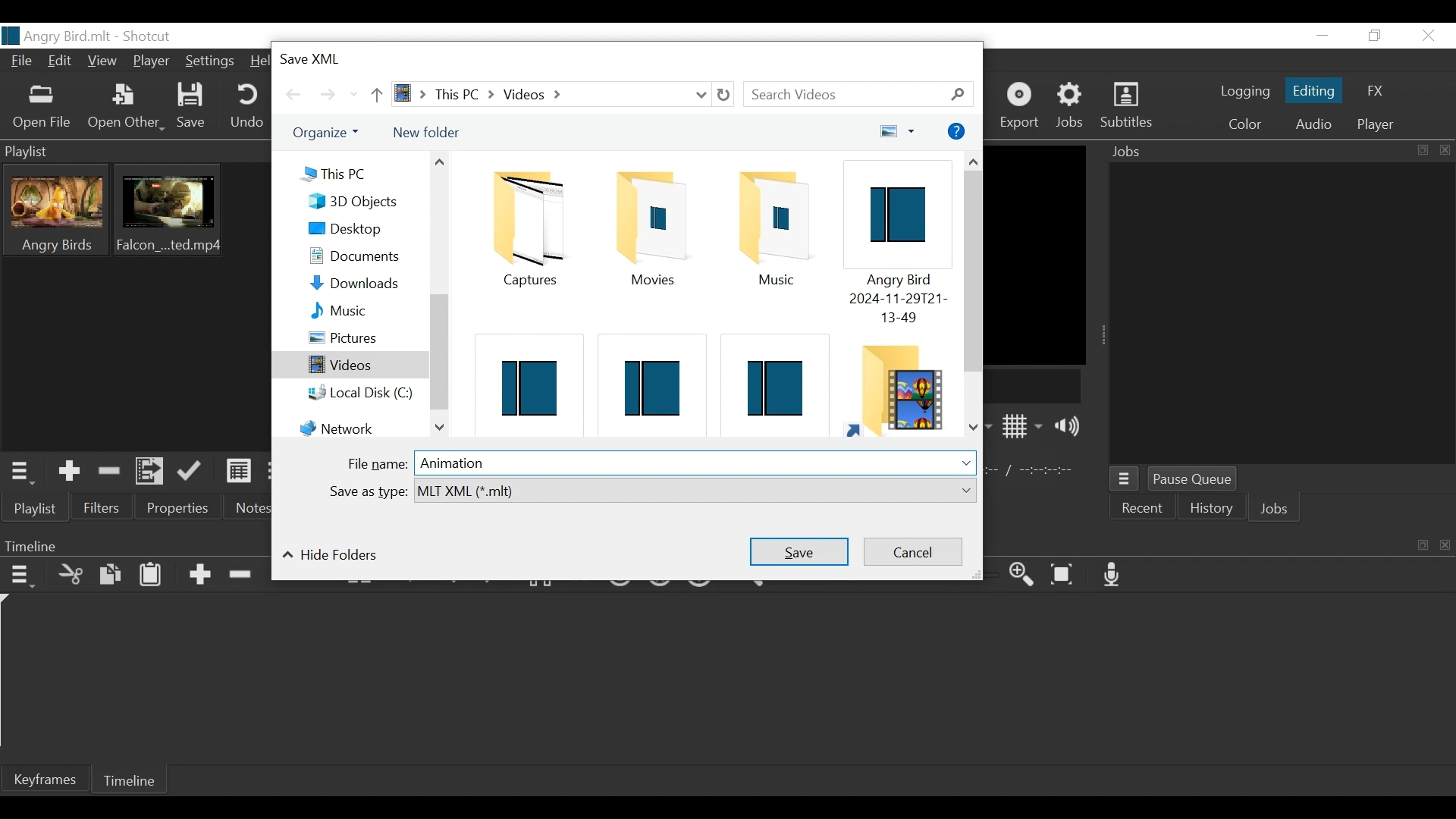 Image resolution: width=1456 pixels, height=819 pixels. What do you see at coordinates (1373, 127) in the screenshot?
I see `Player` at bounding box center [1373, 127].